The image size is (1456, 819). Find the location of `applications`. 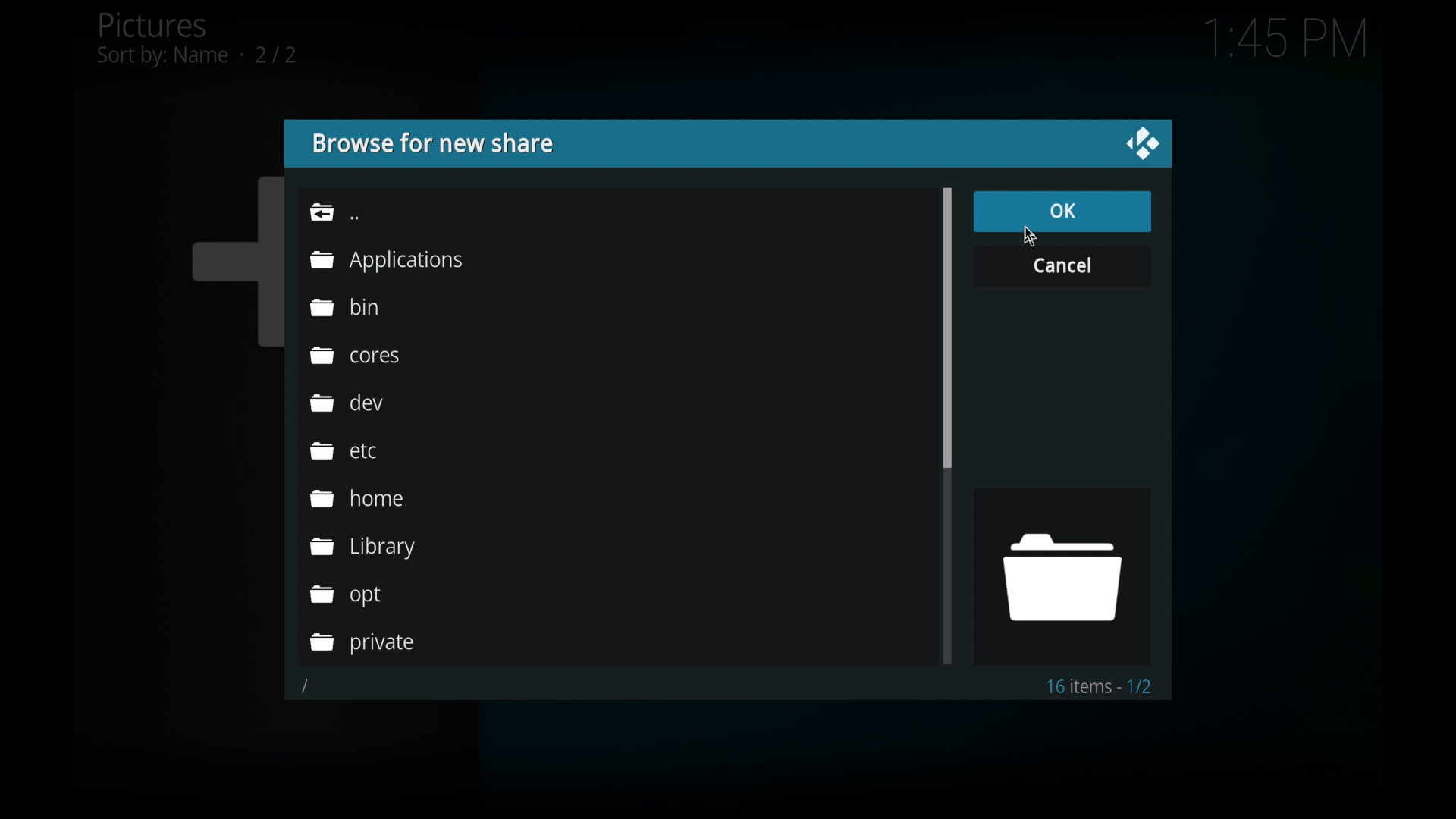

applications is located at coordinates (386, 260).